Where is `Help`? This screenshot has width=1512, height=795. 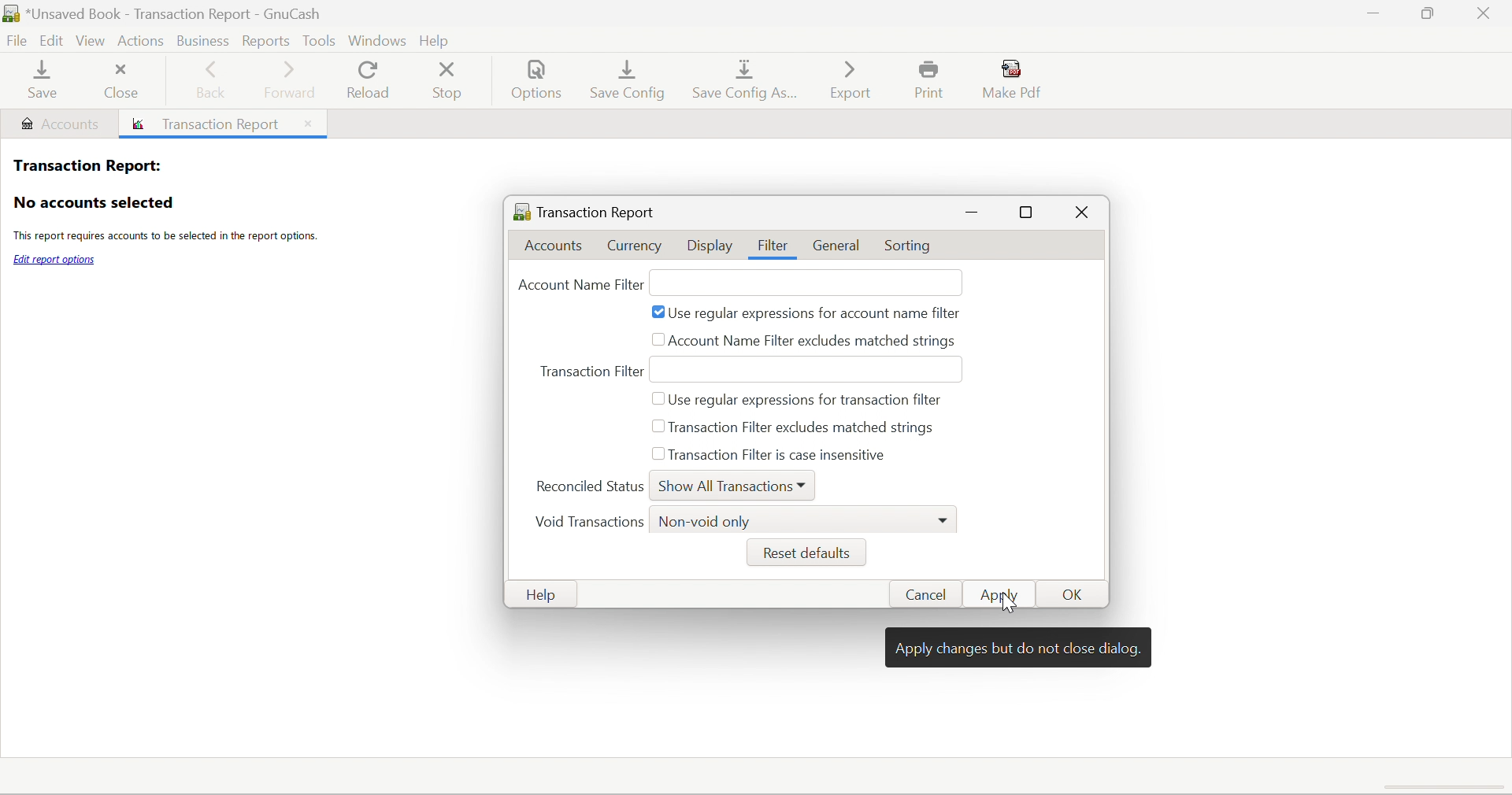
Help is located at coordinates (545, 595).